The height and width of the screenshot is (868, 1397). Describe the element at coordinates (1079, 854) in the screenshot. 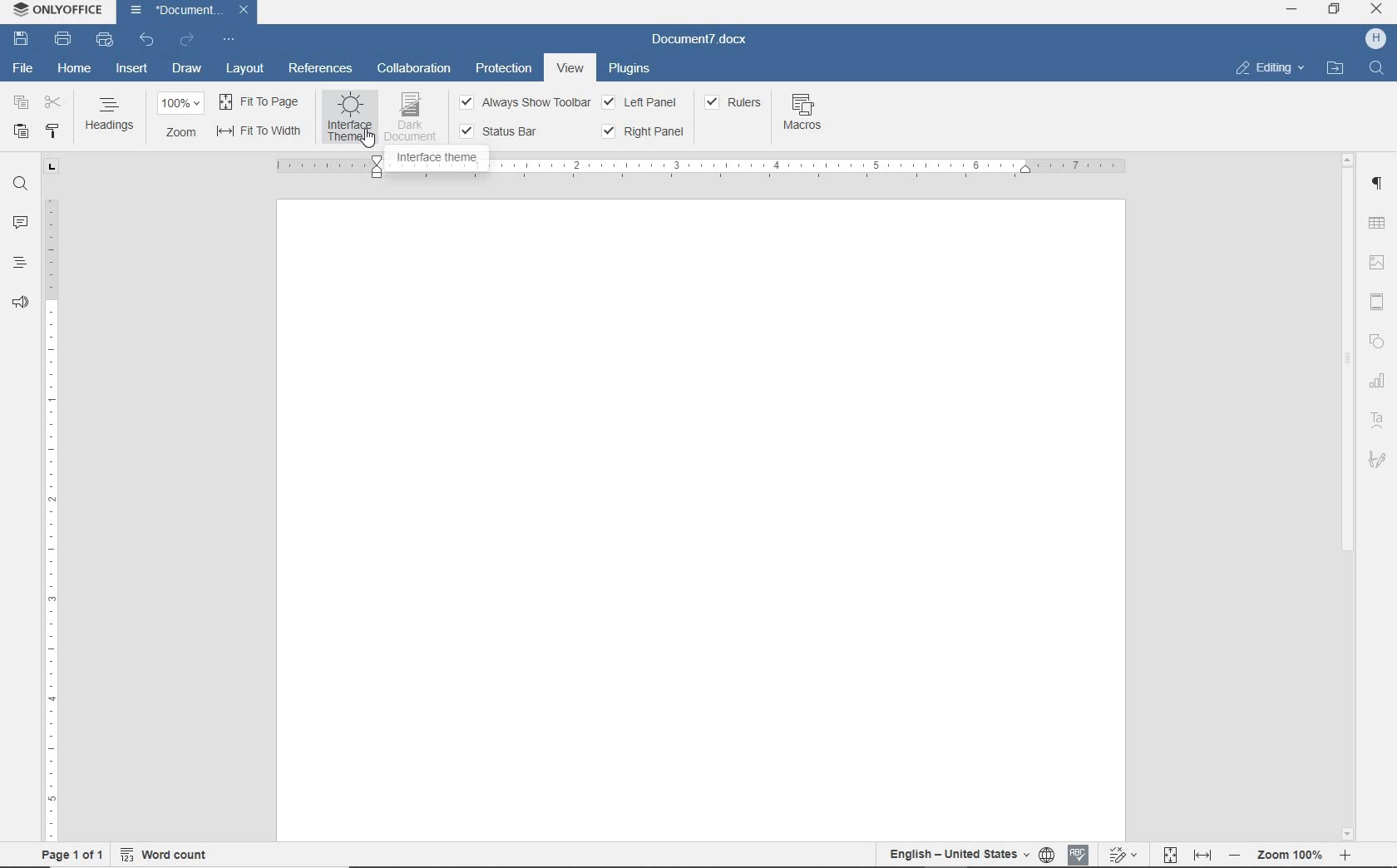

I see `SPELL CHECKING` at that location.